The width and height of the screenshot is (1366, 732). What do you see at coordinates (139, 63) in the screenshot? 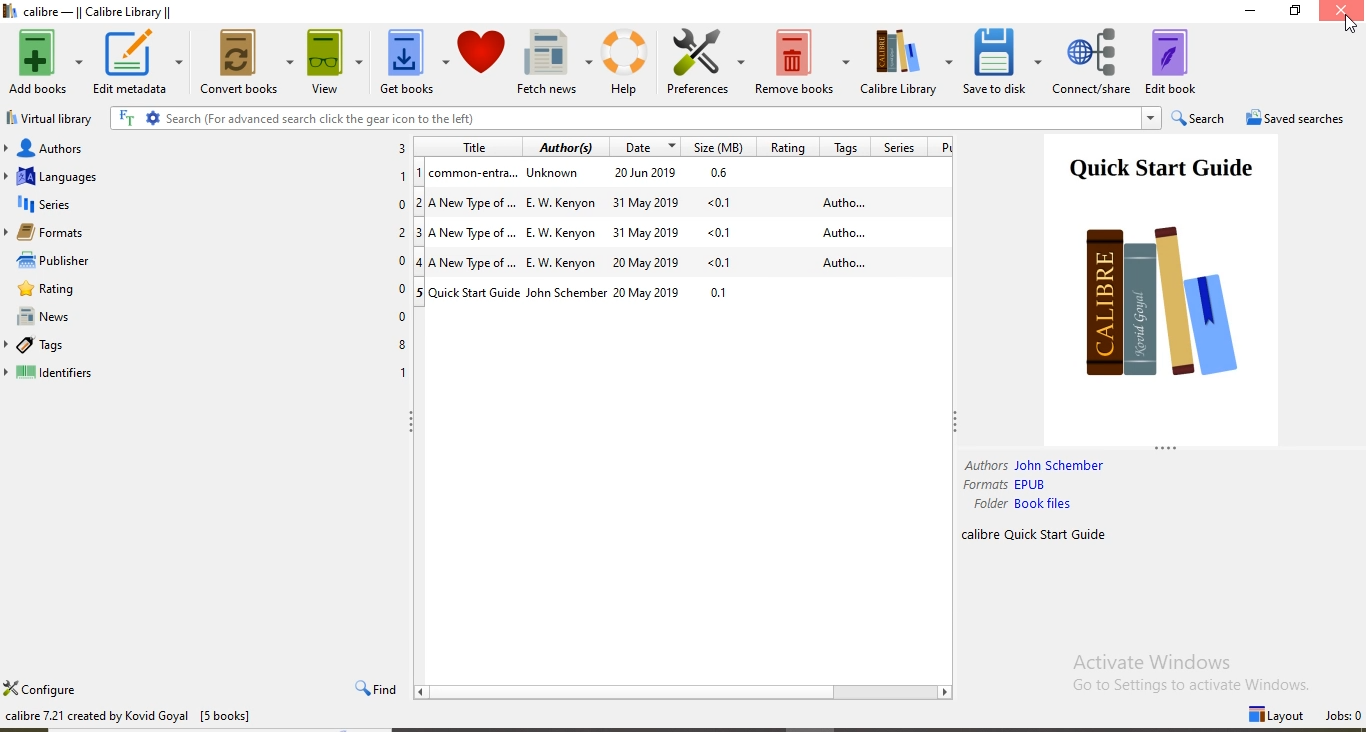
I see `Edit metadata` at bounding box center [139, 63].